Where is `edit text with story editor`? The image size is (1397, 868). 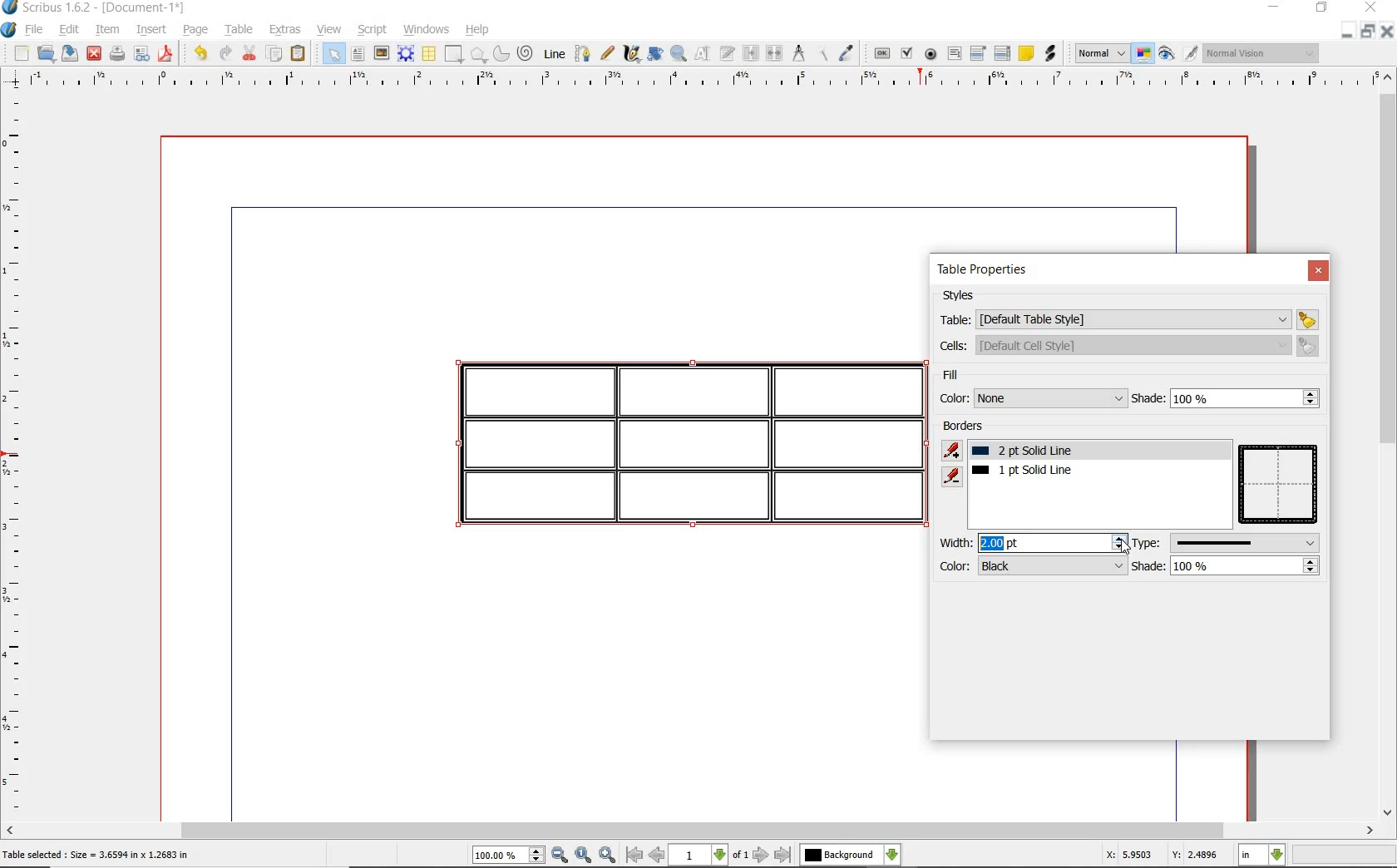
edit text with story editor is located at coordinates (727, 53).